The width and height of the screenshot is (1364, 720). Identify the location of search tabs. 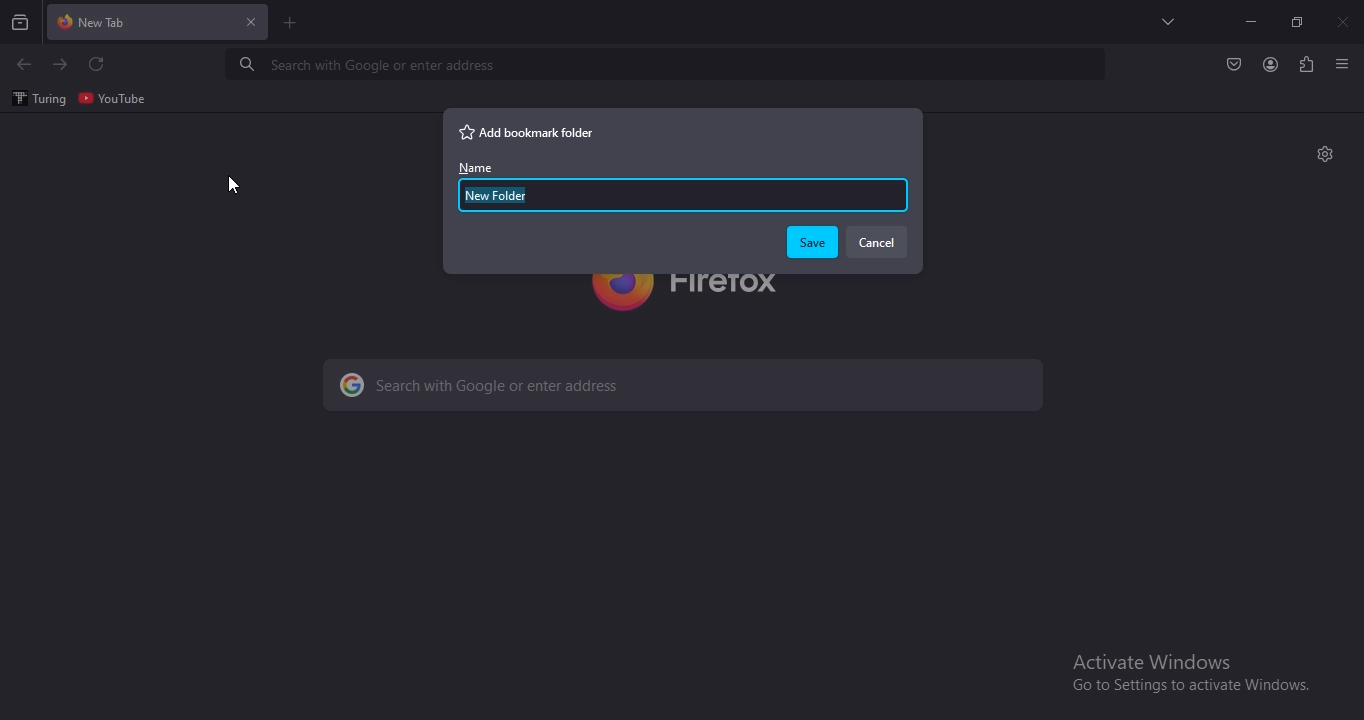
(1170, 21).